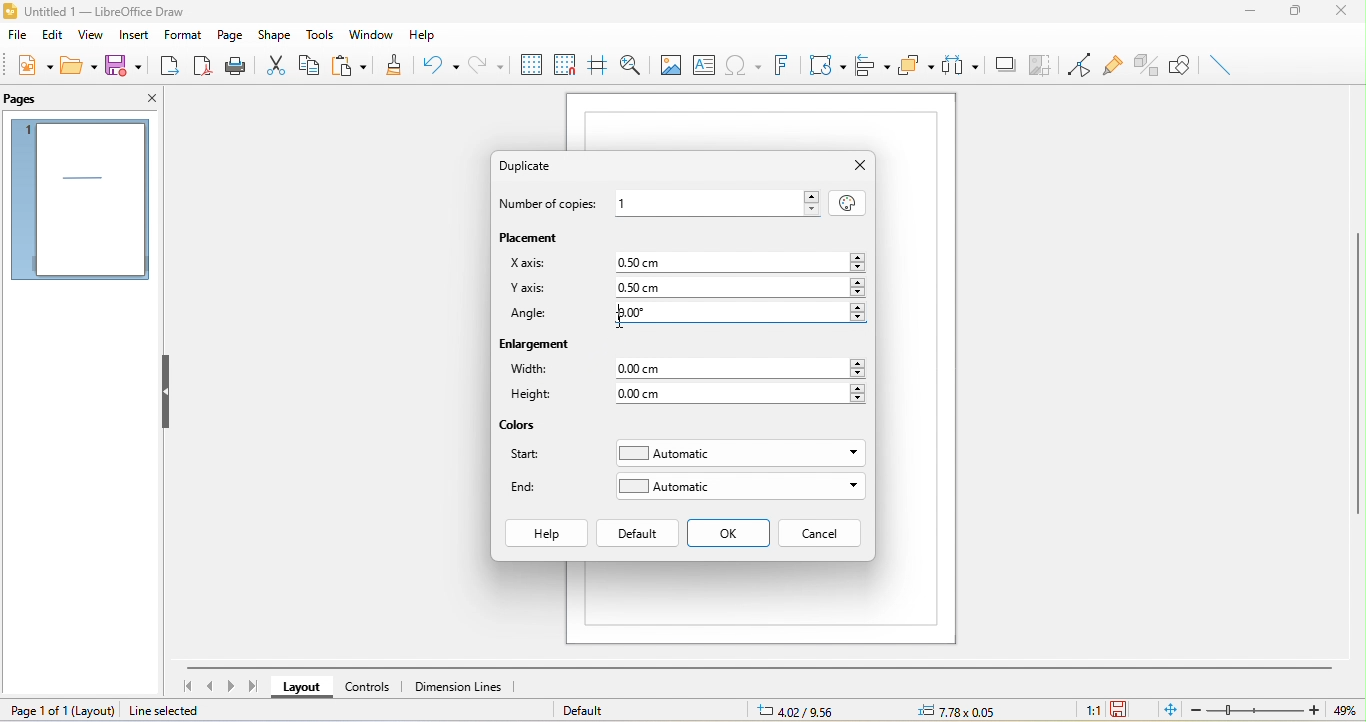 This screenshot has height=722, width=1366. Describe the element at coordinates (780, 65) in the screenshot. I see `font work text` at that location.